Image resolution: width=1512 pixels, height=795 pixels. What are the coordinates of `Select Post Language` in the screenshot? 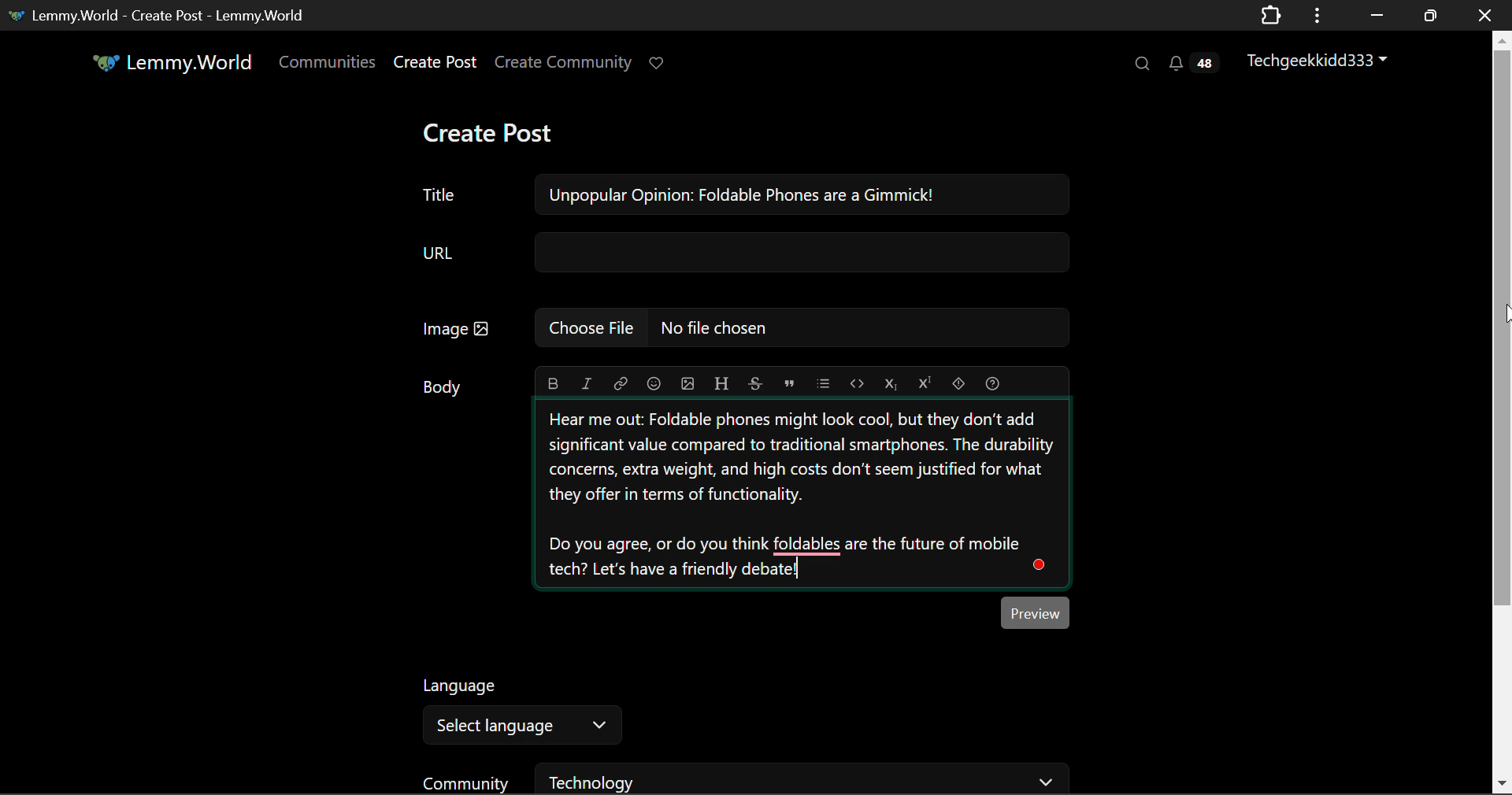 It's located at (517, 704).